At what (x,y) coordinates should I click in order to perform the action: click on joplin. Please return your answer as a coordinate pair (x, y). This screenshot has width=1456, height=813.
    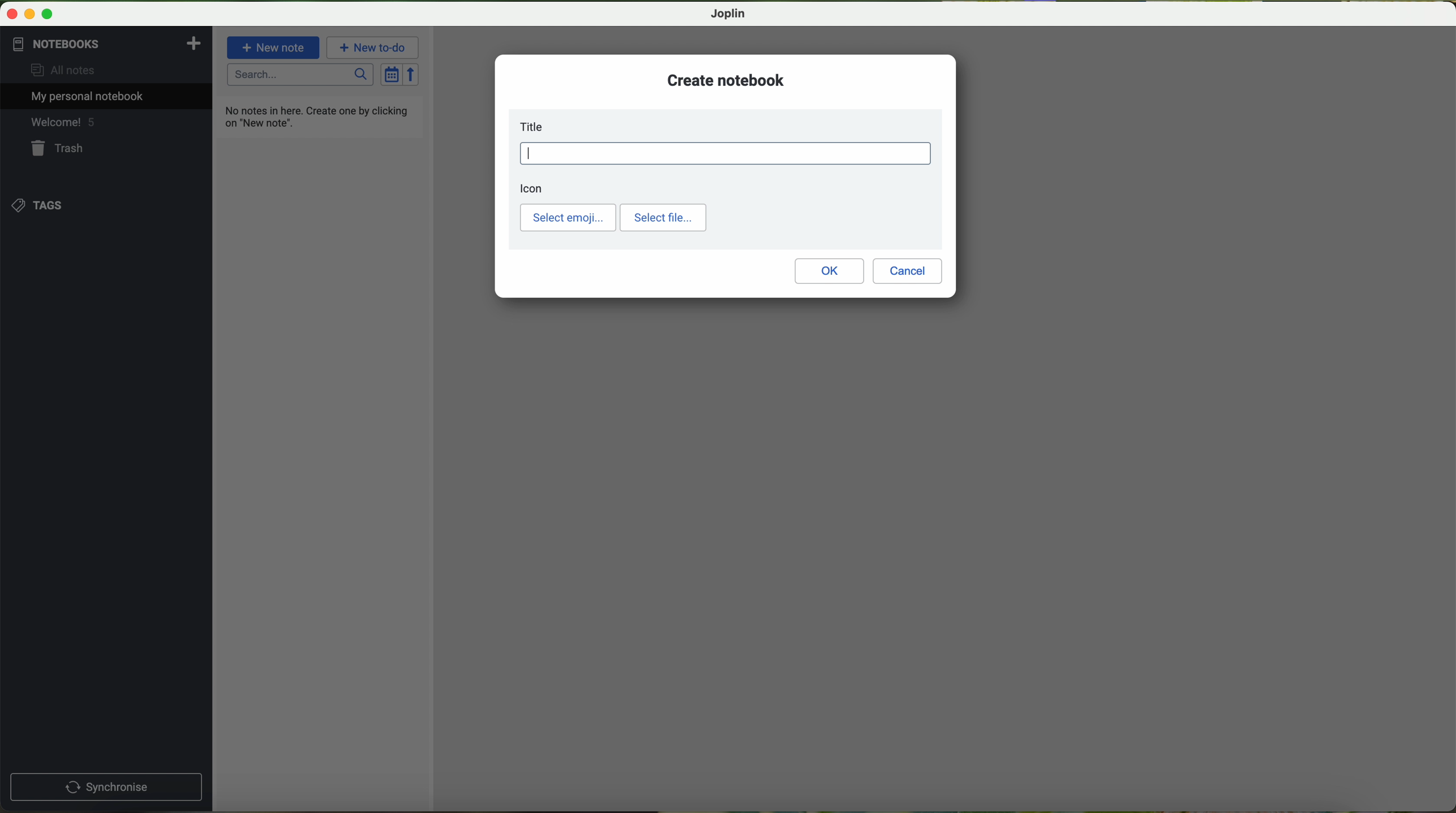
    Looking at the image, I should click on (729, 14).